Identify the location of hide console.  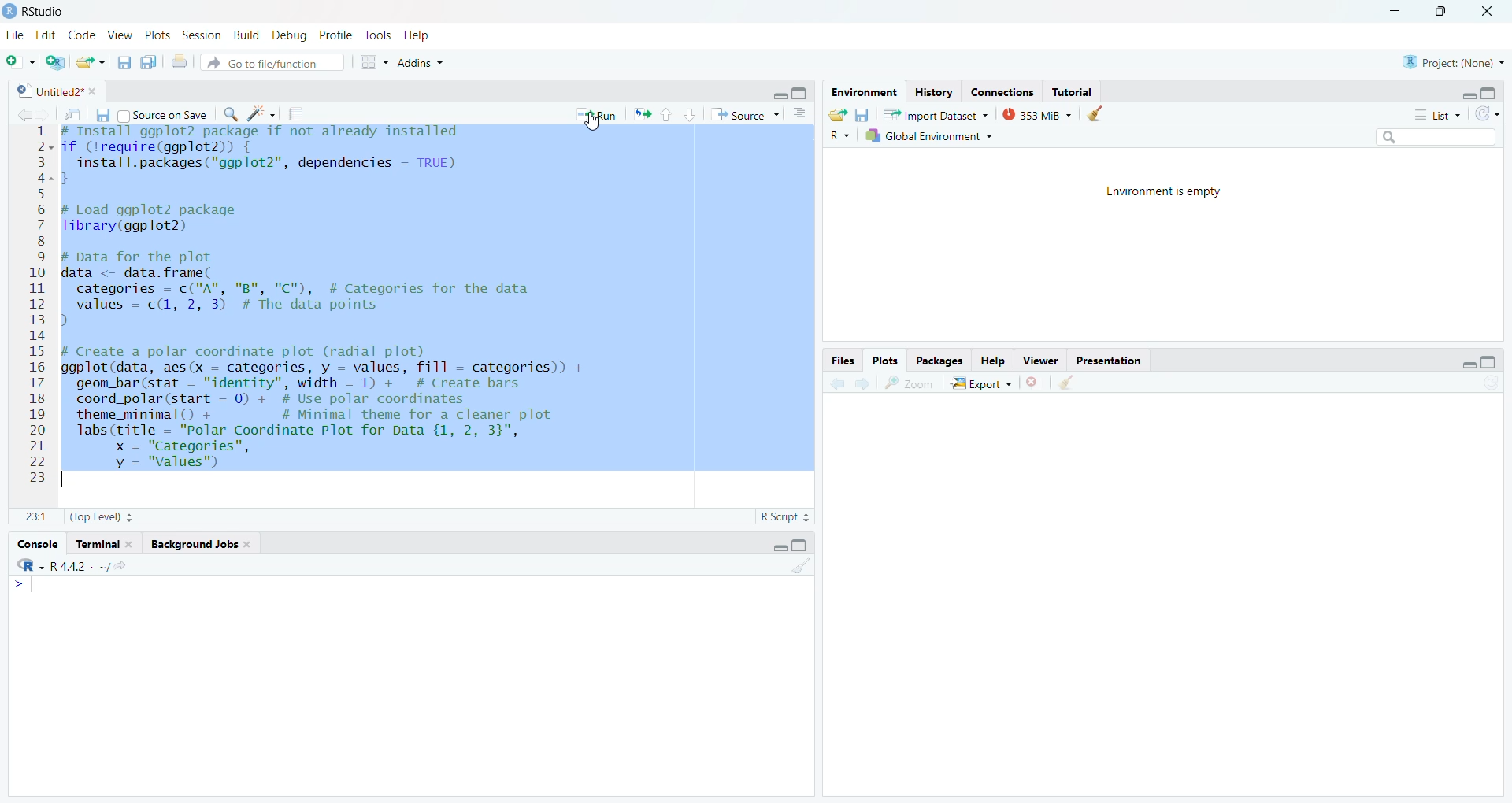
(1490, 92).